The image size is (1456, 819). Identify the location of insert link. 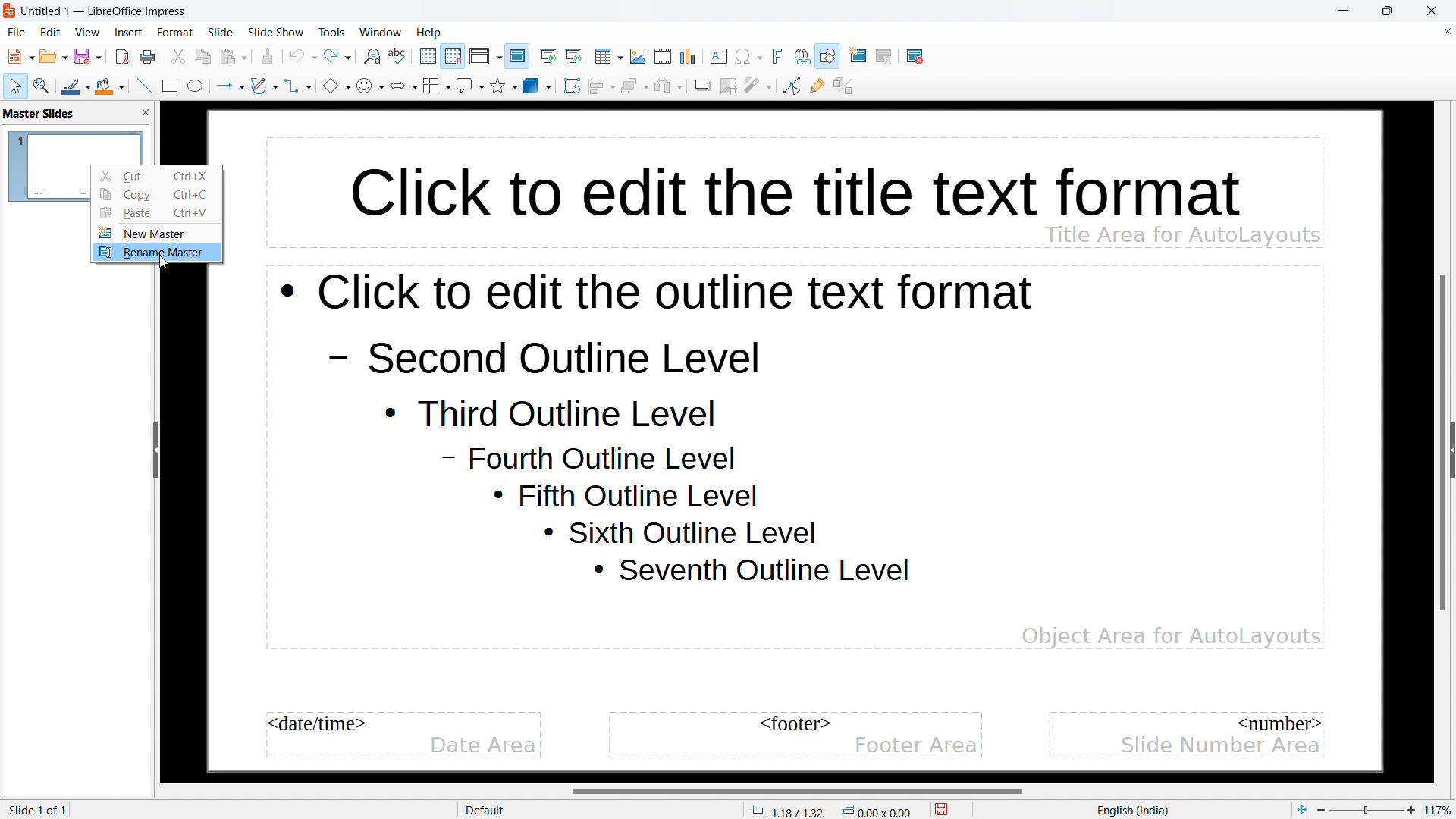
(802, 57).